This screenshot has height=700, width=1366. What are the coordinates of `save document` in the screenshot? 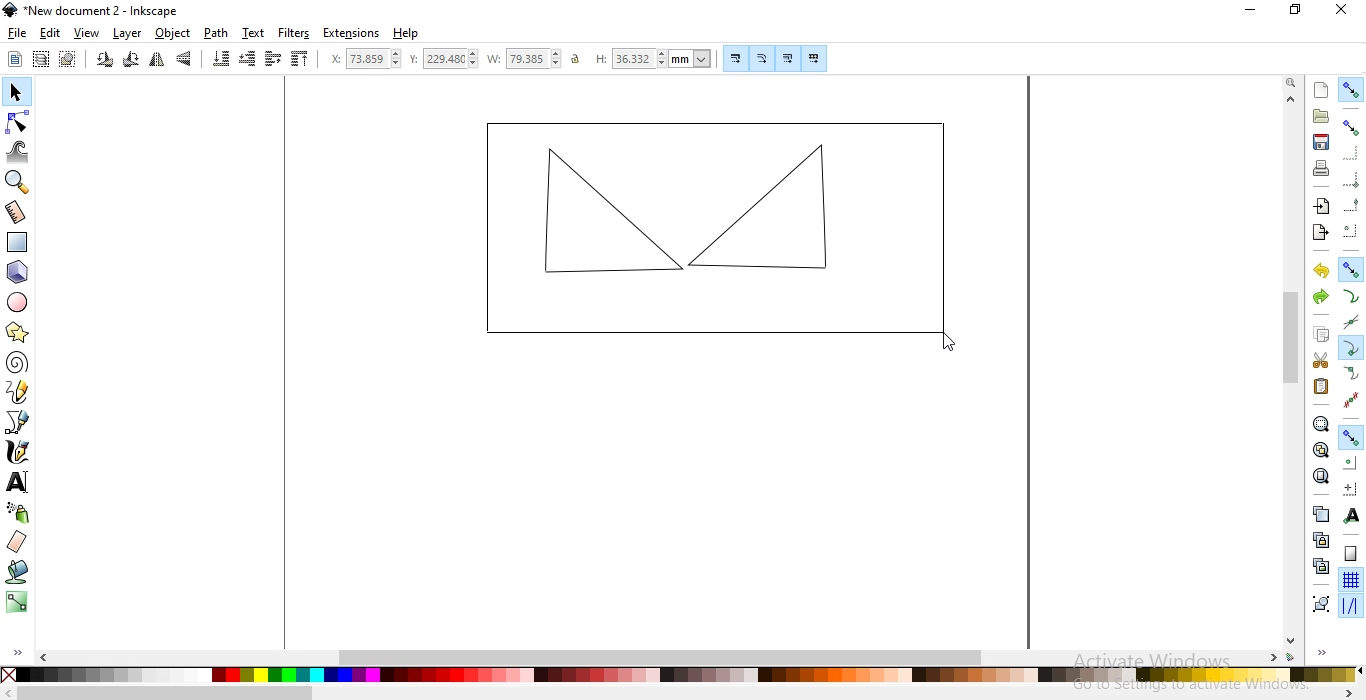 It's located at (1321, 142).